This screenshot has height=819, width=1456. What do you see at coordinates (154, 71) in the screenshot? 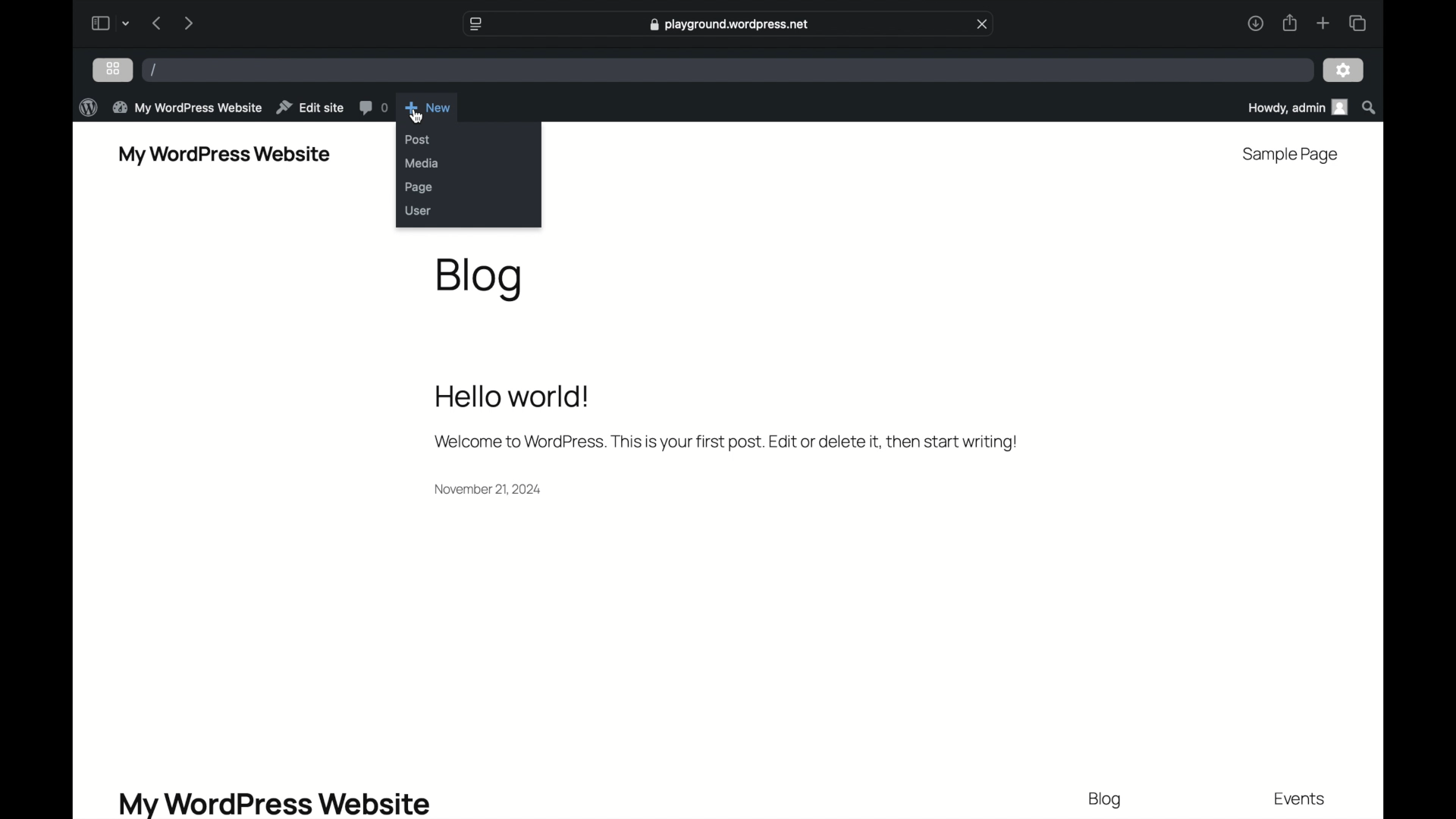
I see `/` at bounding box center [154, 71].